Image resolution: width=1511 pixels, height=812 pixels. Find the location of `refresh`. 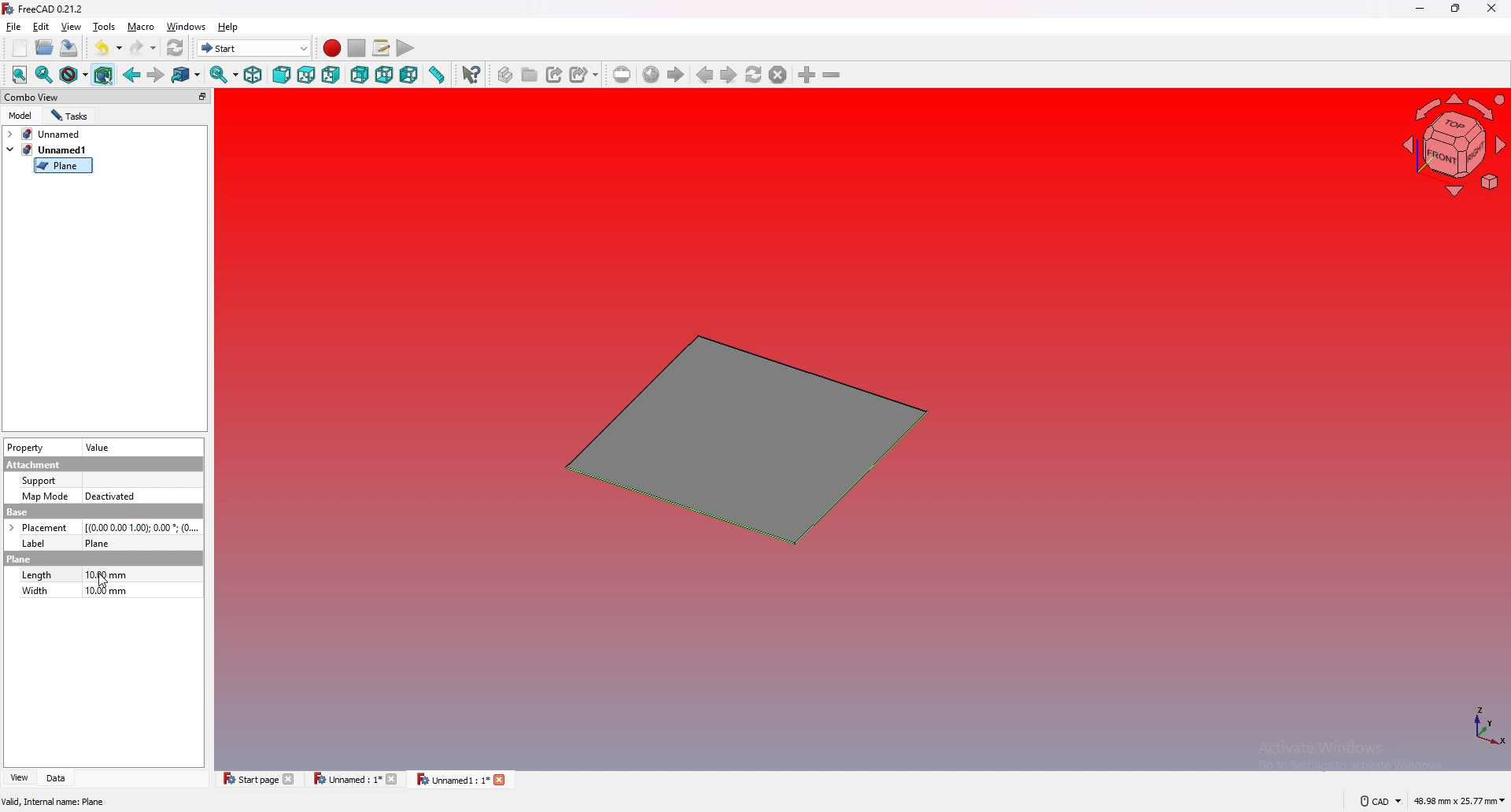

refresh is located at coordinates (176, 49).